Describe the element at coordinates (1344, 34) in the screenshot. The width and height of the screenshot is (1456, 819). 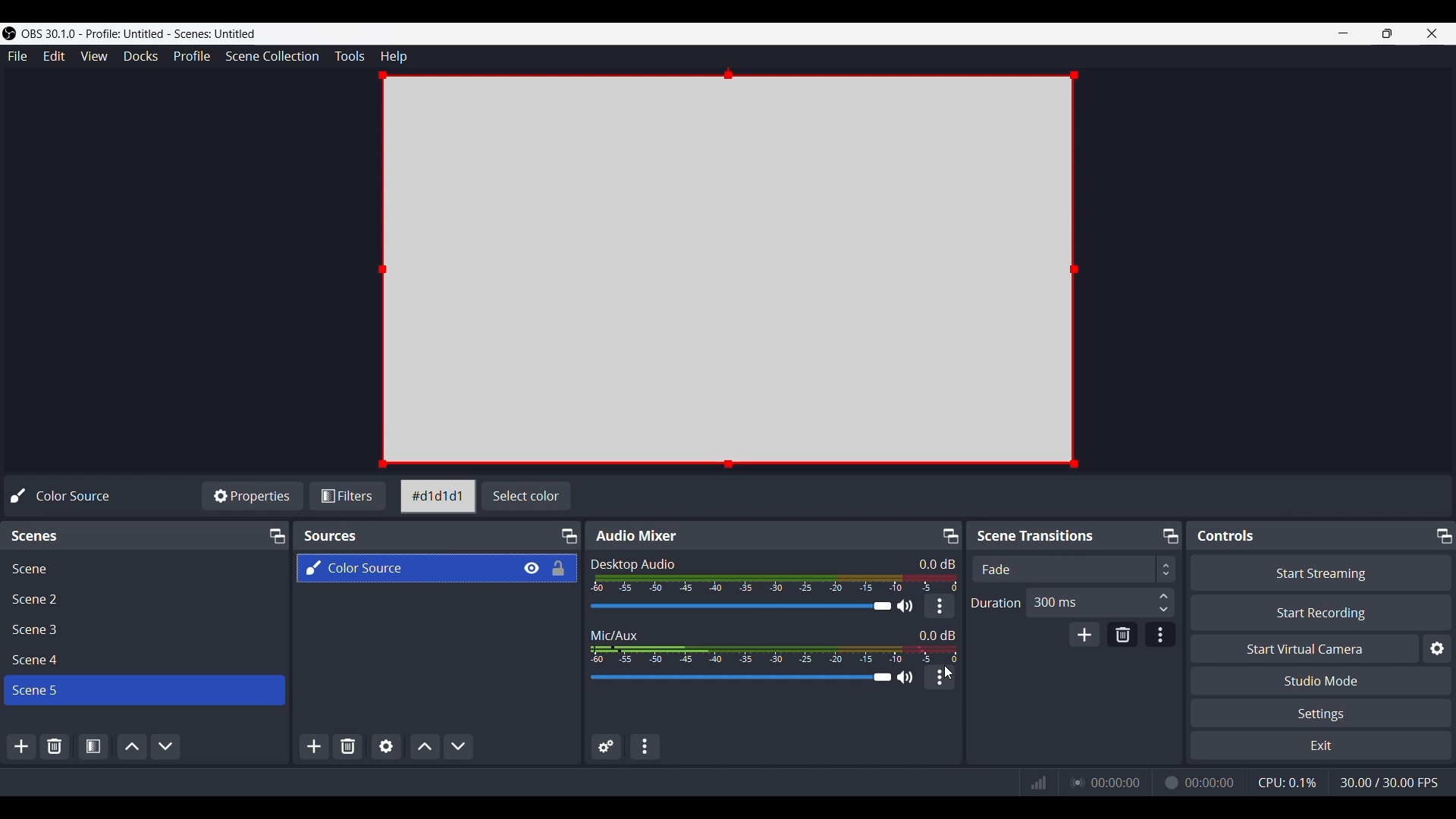
I see `Minimize` at that location.